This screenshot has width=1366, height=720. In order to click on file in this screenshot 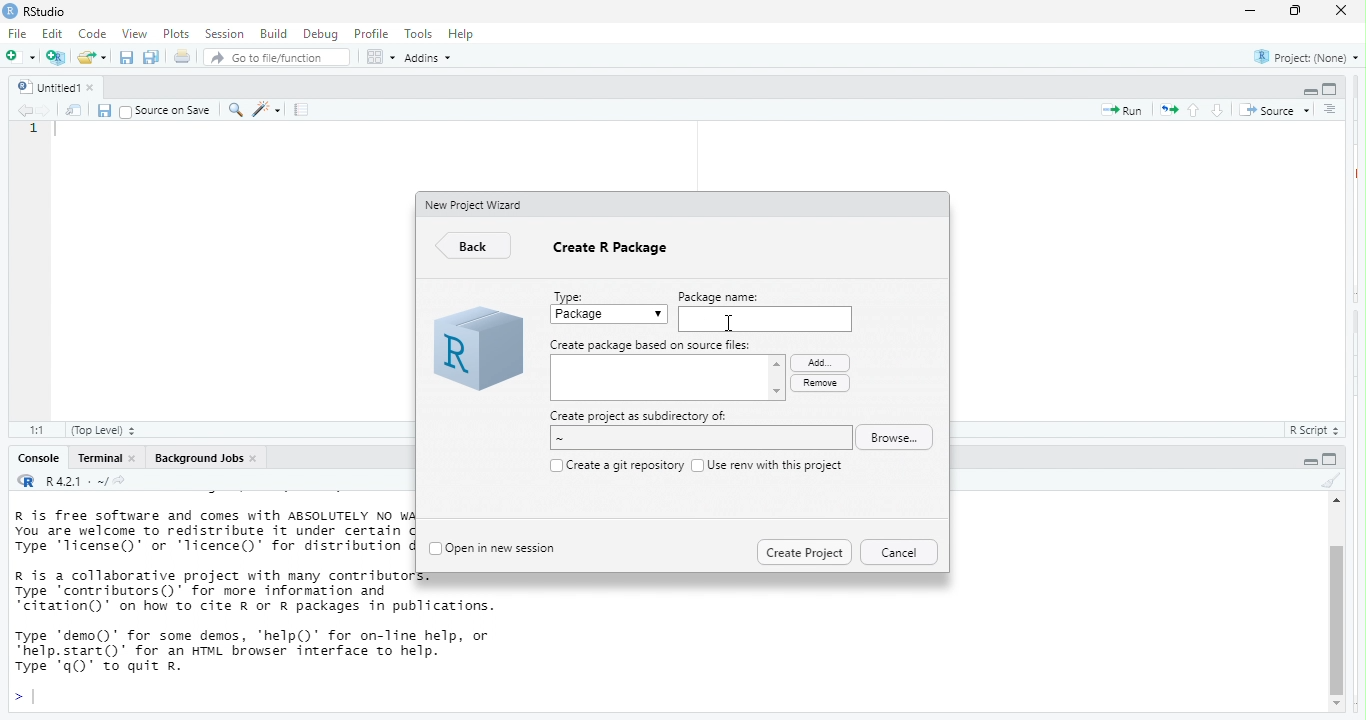, I will do `click(20, 35)`.